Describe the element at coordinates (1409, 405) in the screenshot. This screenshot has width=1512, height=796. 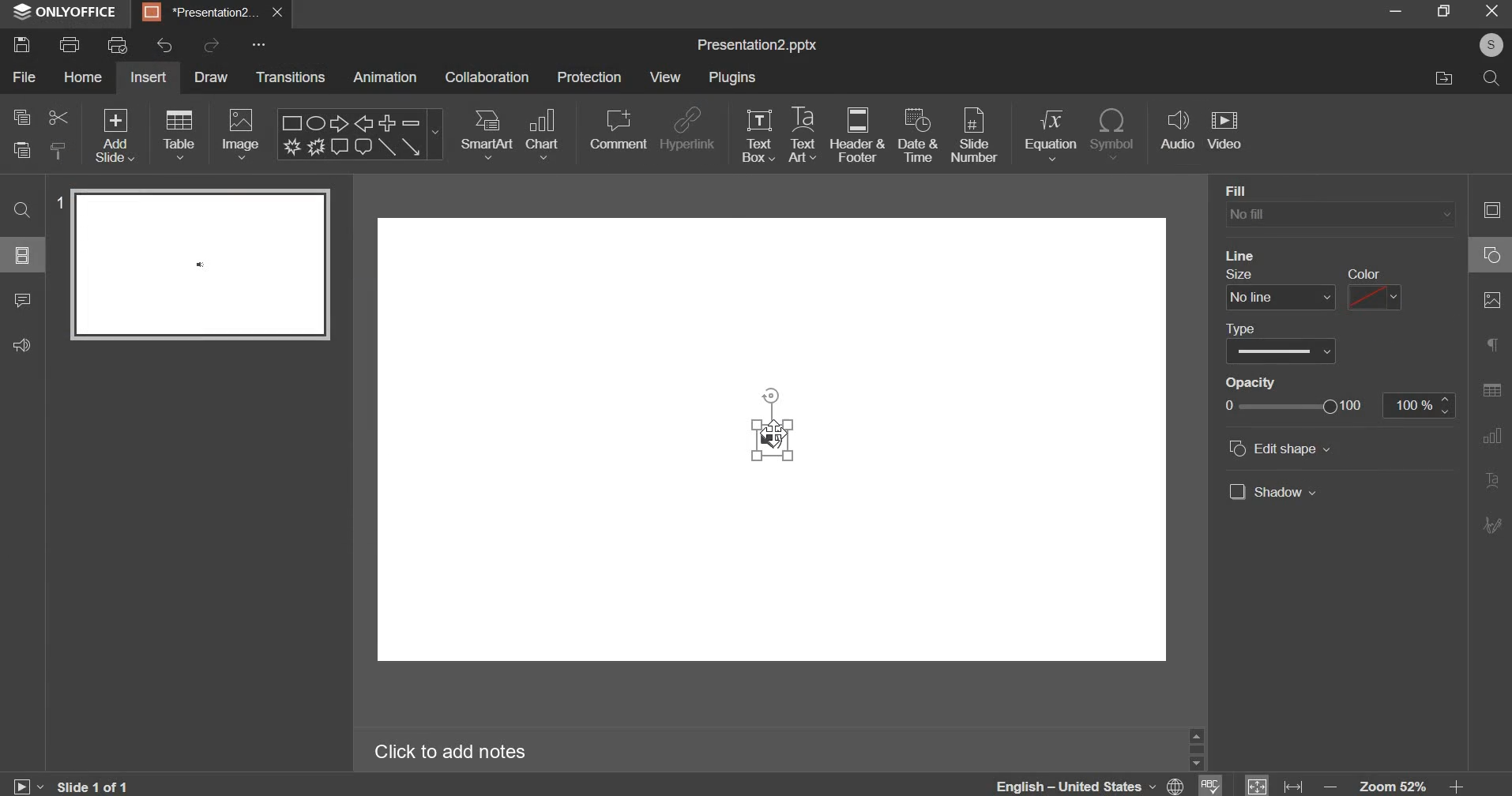
I see `100%` at that location.